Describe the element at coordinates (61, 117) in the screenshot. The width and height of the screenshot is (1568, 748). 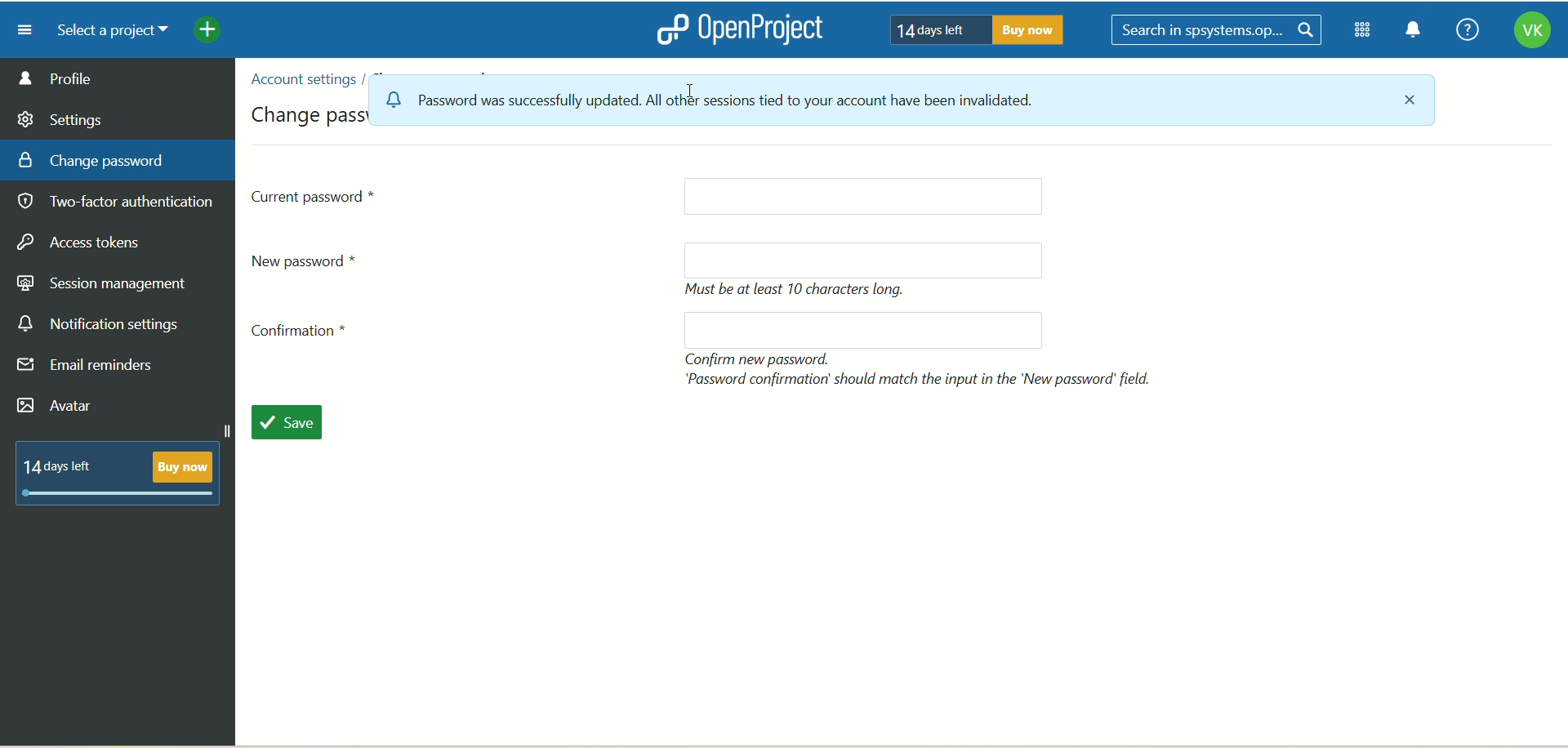
I see `settings` at that location.